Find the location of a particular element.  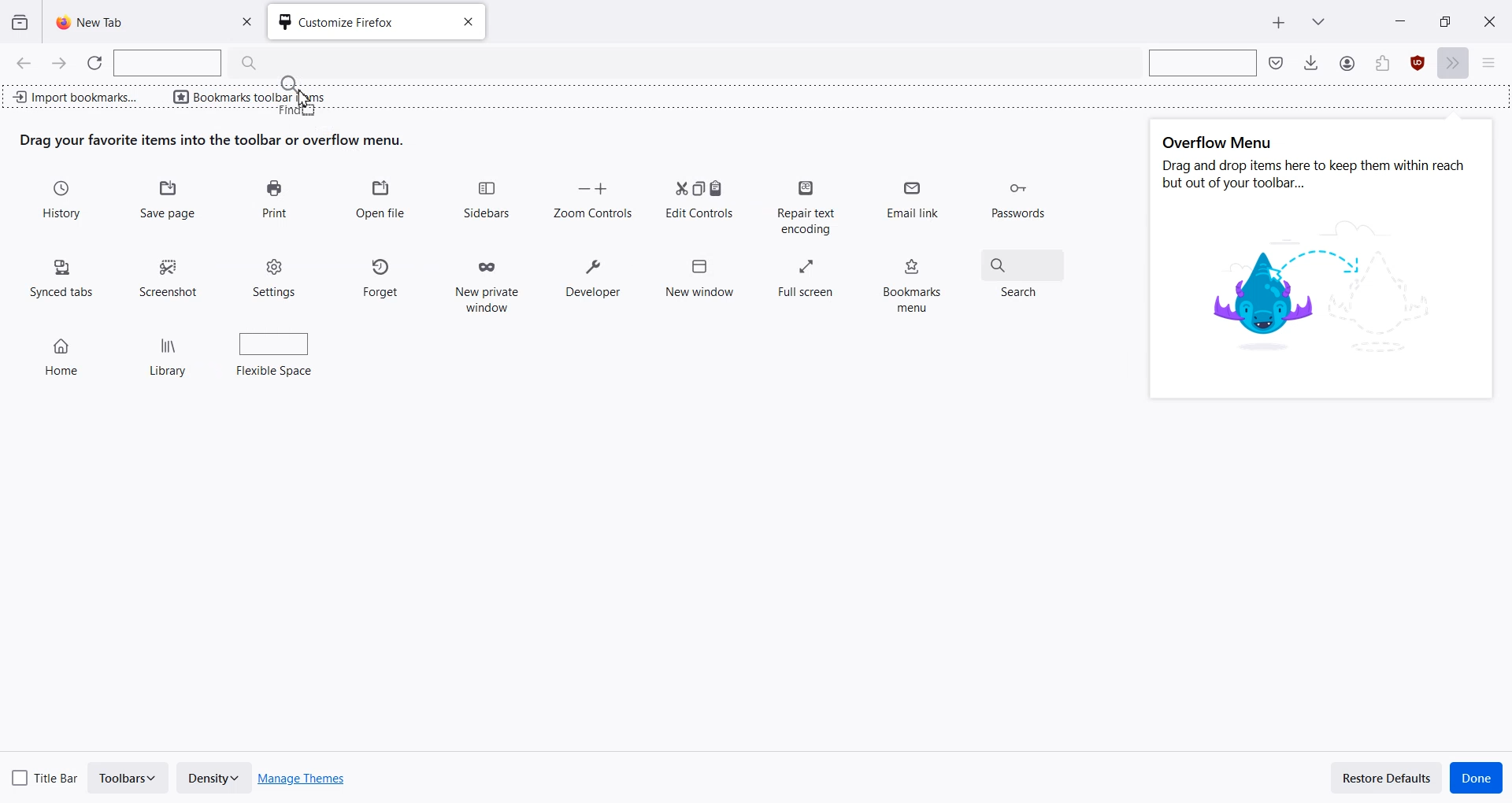

Search bar is located at coordinates (1200, 62).